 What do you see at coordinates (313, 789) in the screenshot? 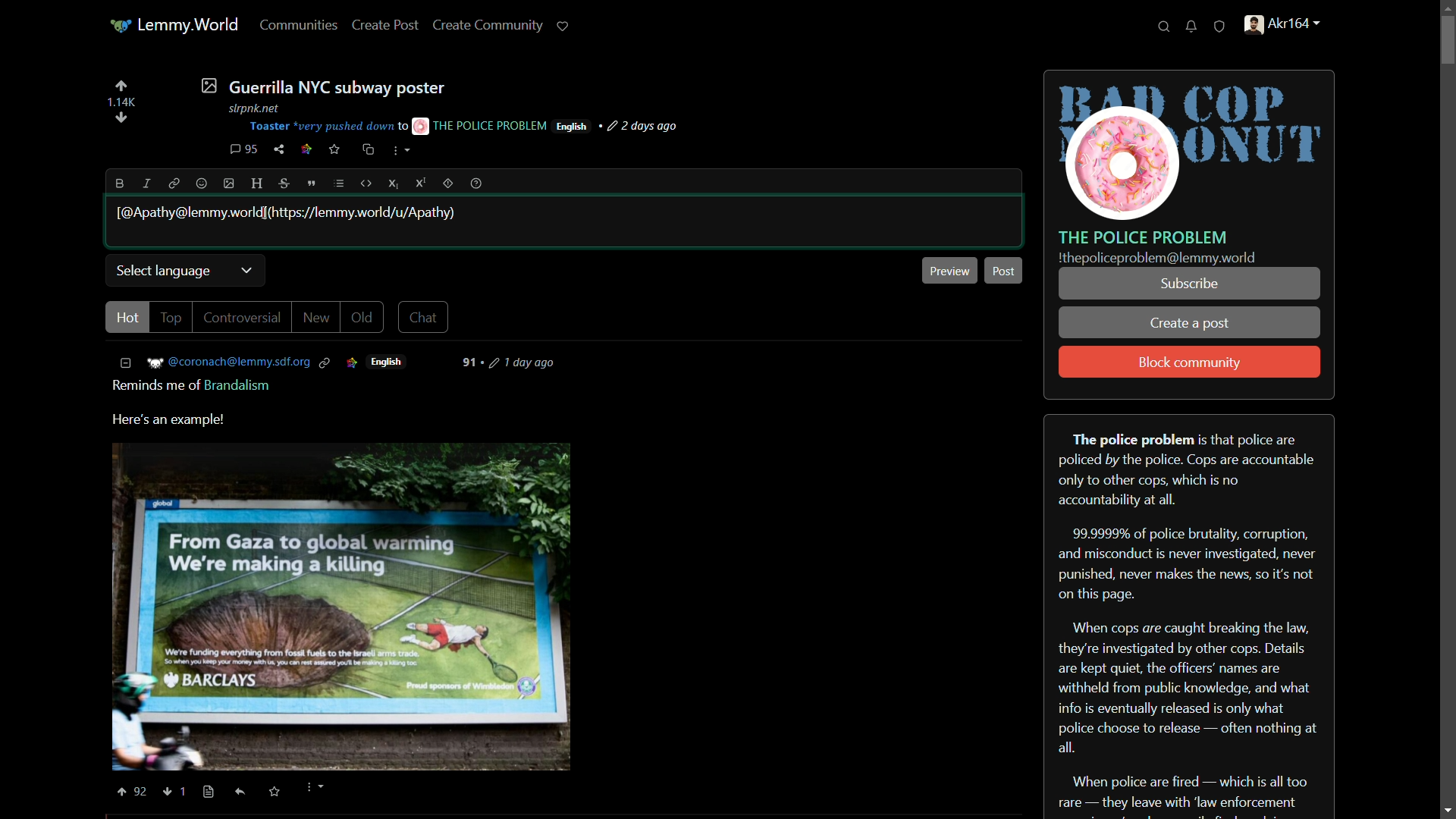
I see `more options` at bounding box center [313, 789].